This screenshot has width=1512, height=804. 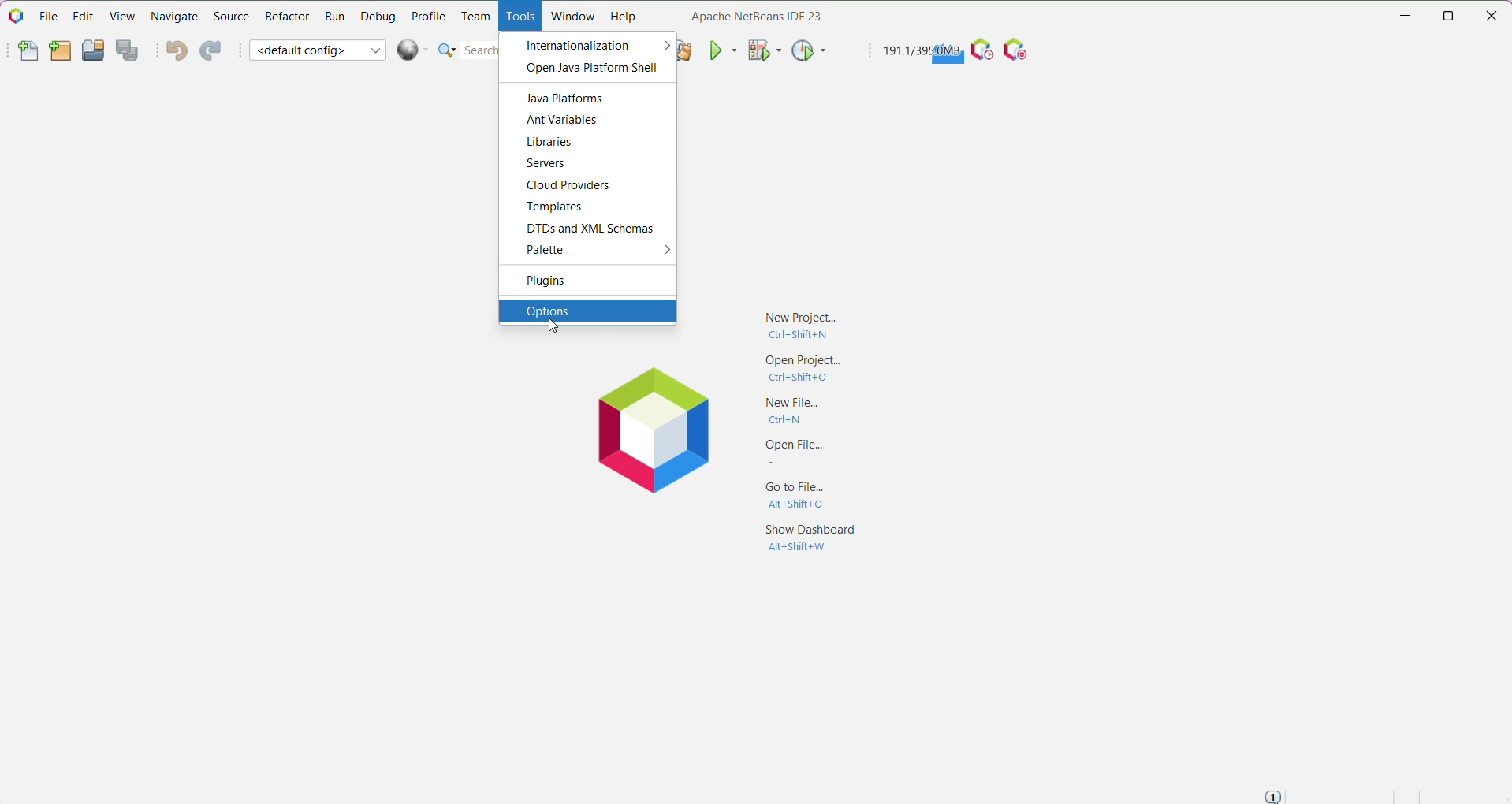 What do you see at coordinates (559, 207) in the screenshot?
I see `Templates` at bounding box center [559, 207].